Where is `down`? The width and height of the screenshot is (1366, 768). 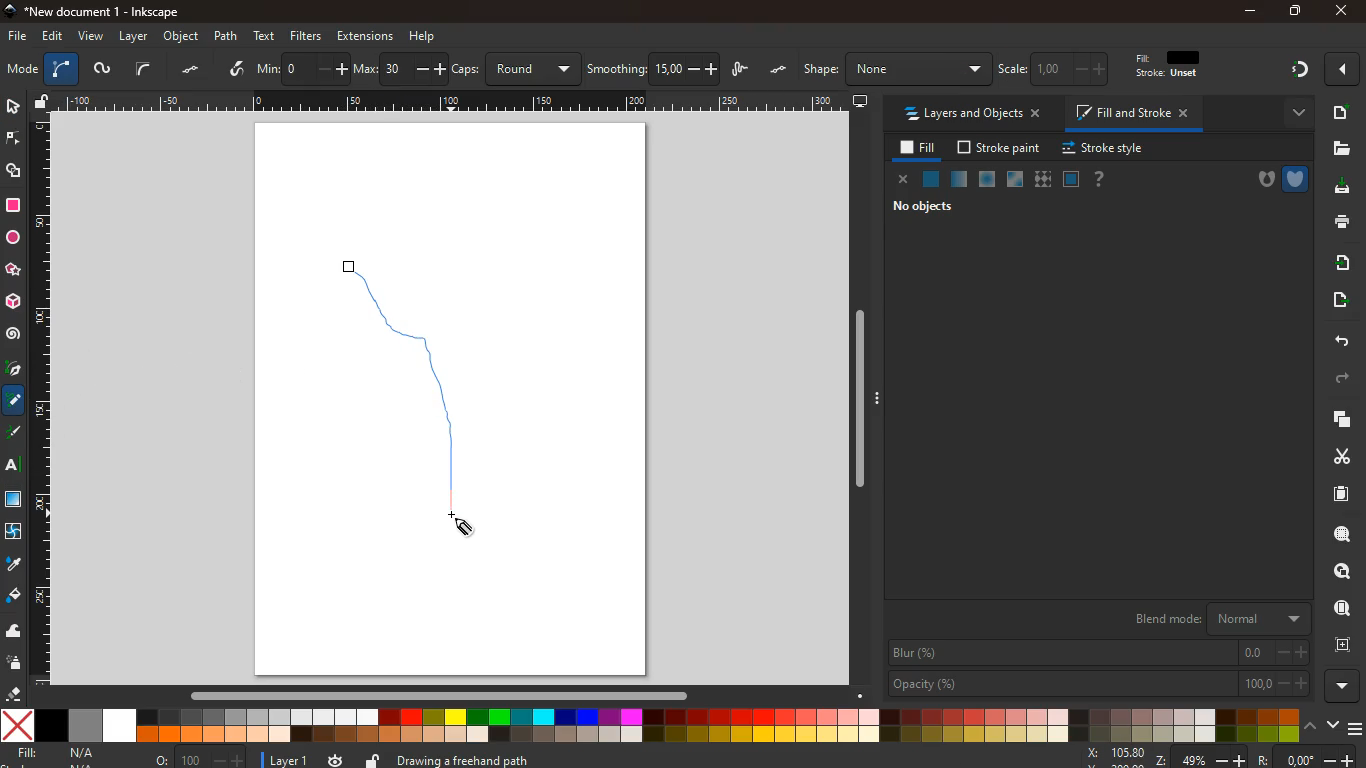
down is located at coordinates (1331, 725).